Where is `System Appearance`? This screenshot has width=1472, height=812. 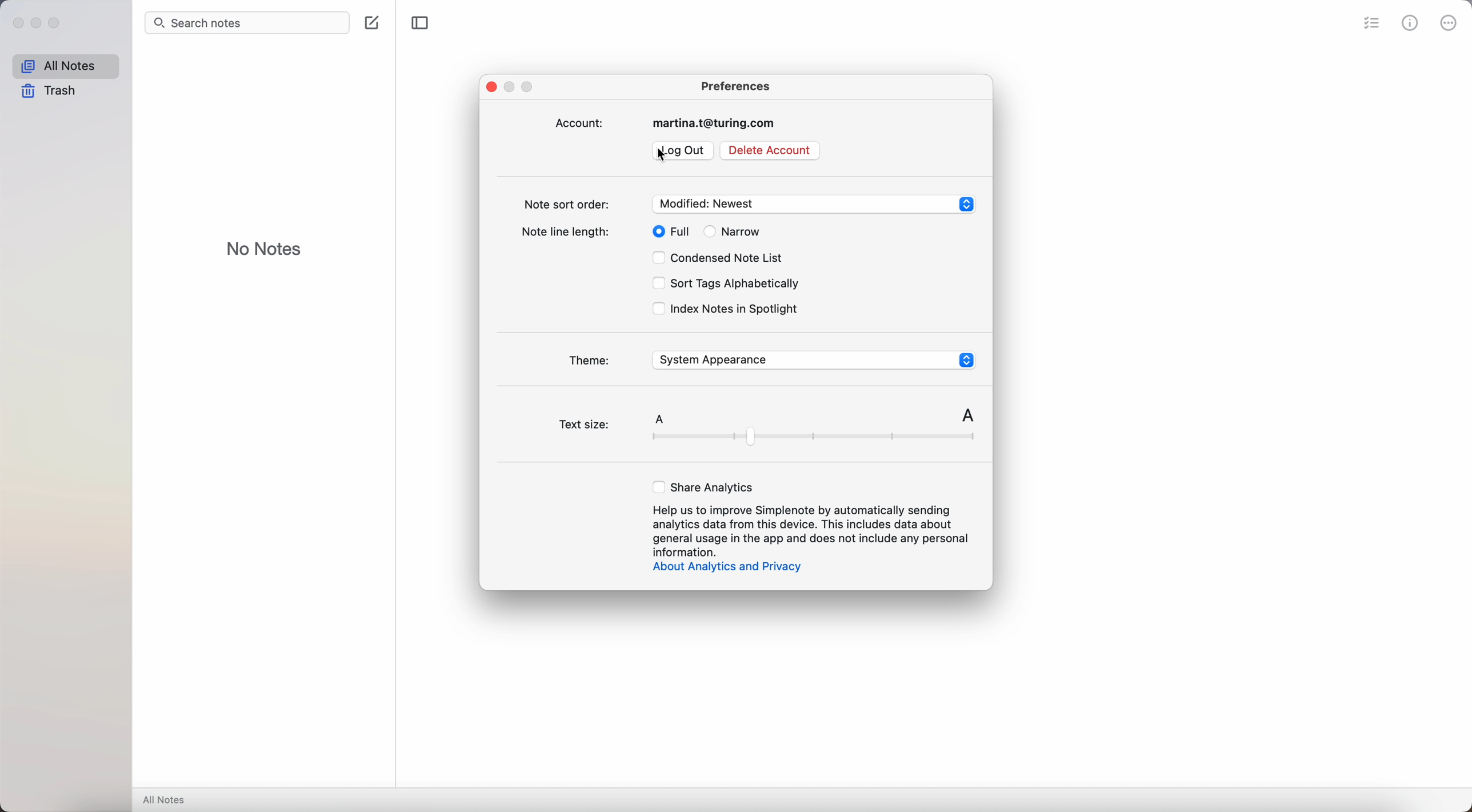 System Appearance is located at coordinates (809, 358).